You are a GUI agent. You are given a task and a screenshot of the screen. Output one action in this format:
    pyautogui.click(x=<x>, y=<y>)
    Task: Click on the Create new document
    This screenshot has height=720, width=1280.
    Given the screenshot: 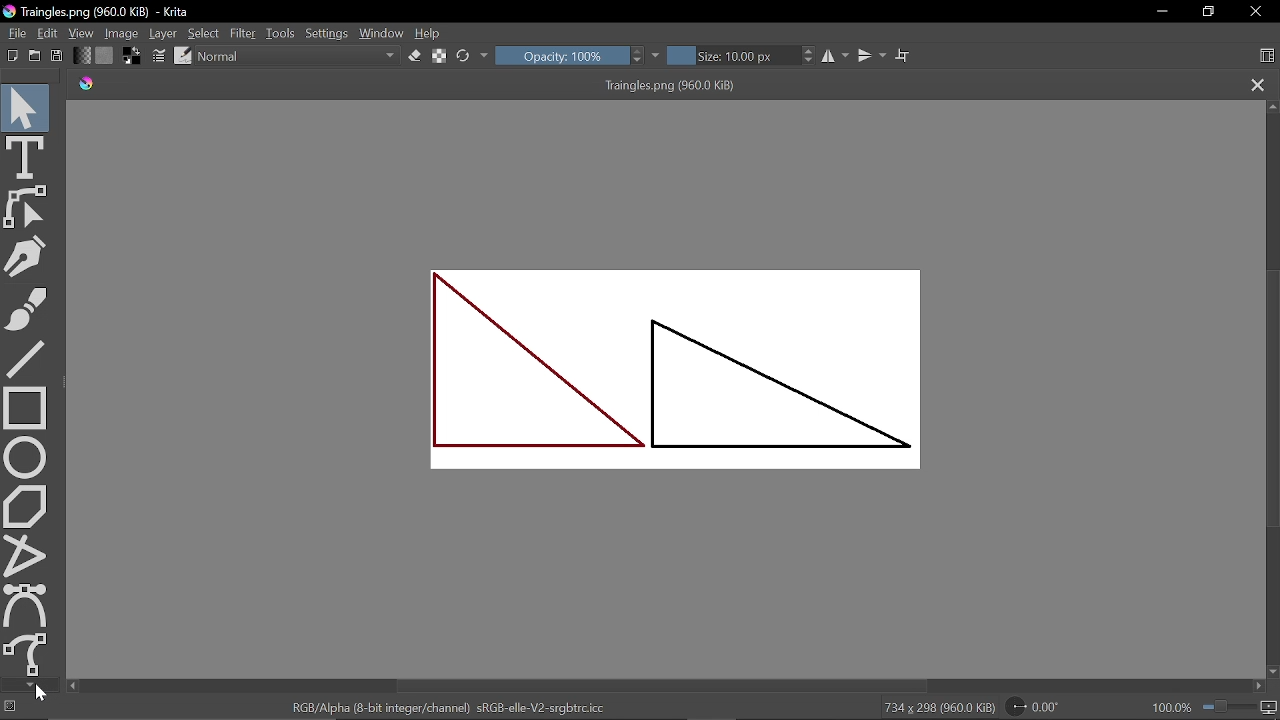 What is the action you would take?
    pyautogui.click(x=13, y=56)
    